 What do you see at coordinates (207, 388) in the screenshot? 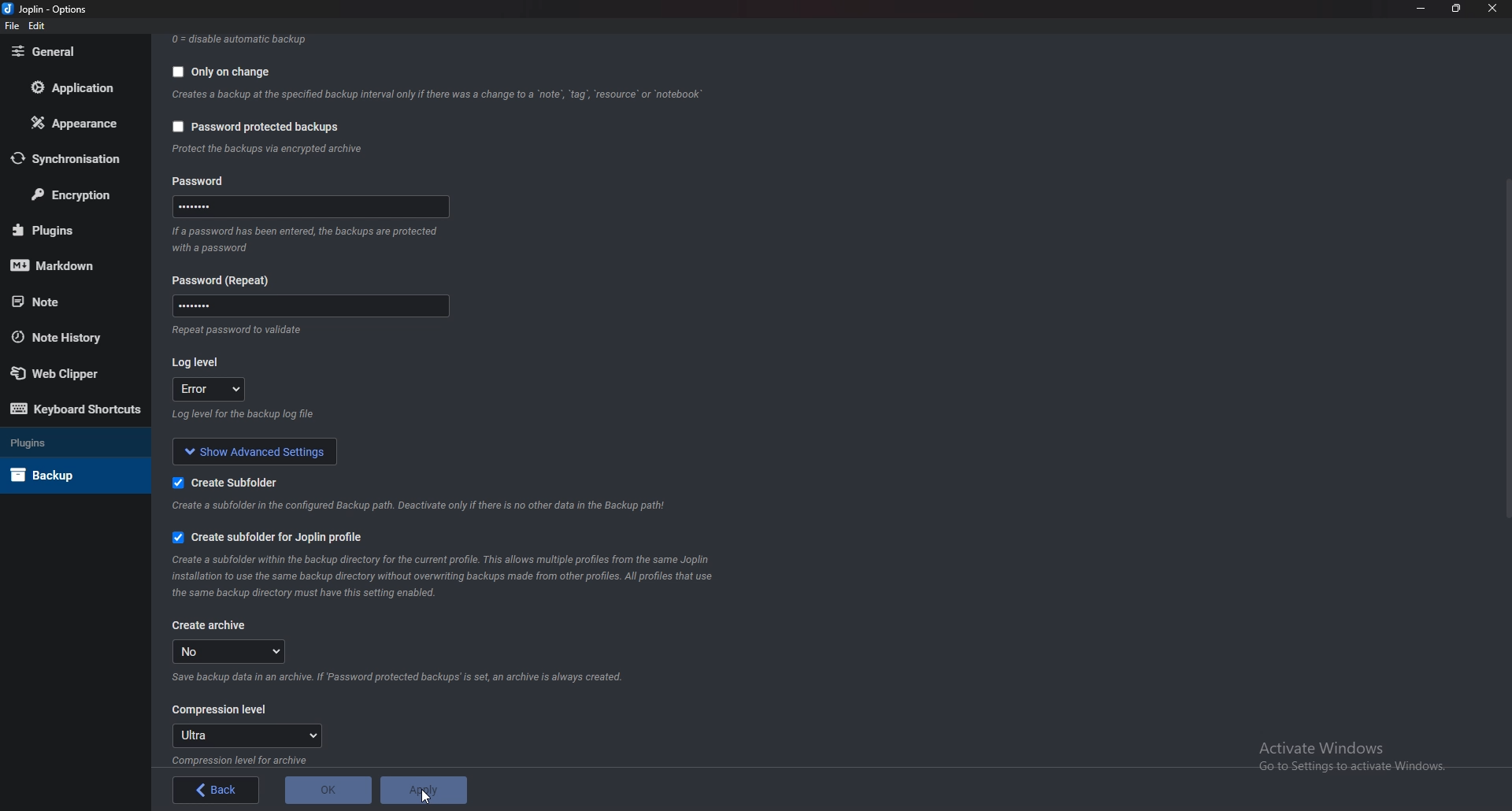
I see `error` at bounding box center [207, 388].